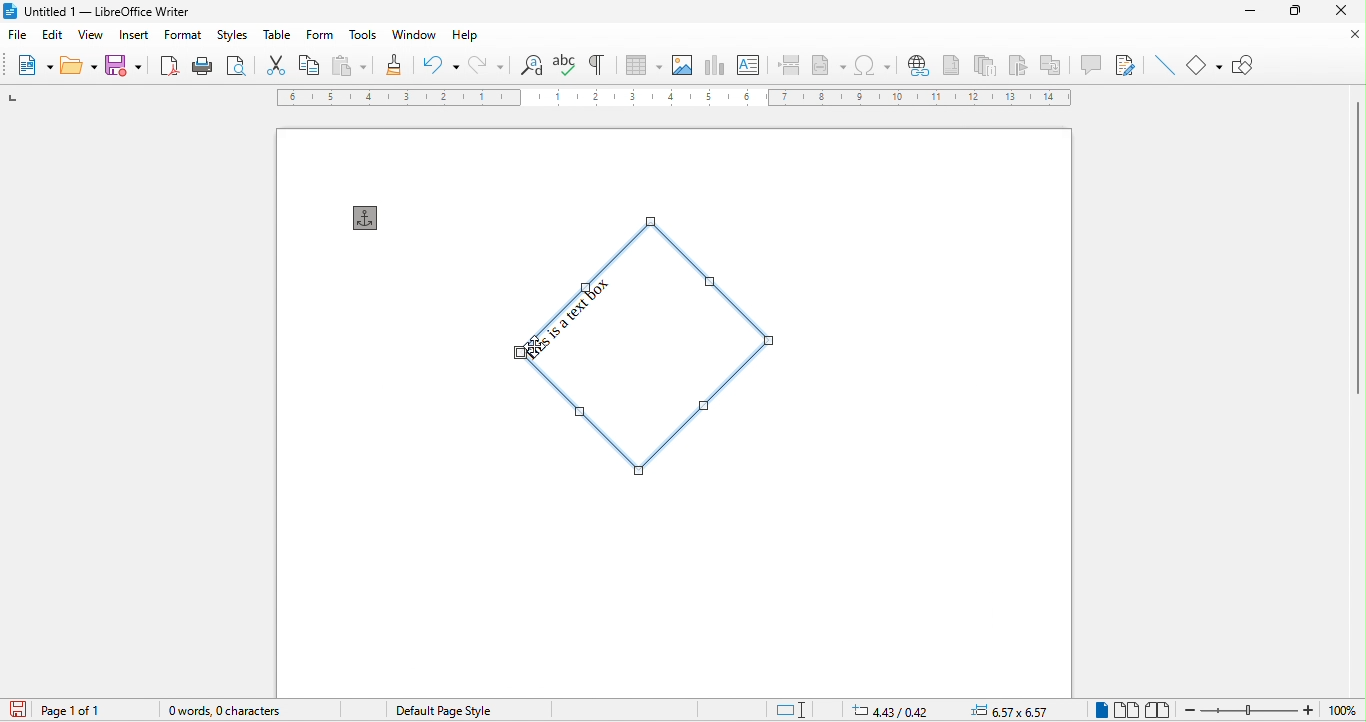  Describe the element at coordinates (1095, 711) in the screenshot. I see `single page view` at that location.